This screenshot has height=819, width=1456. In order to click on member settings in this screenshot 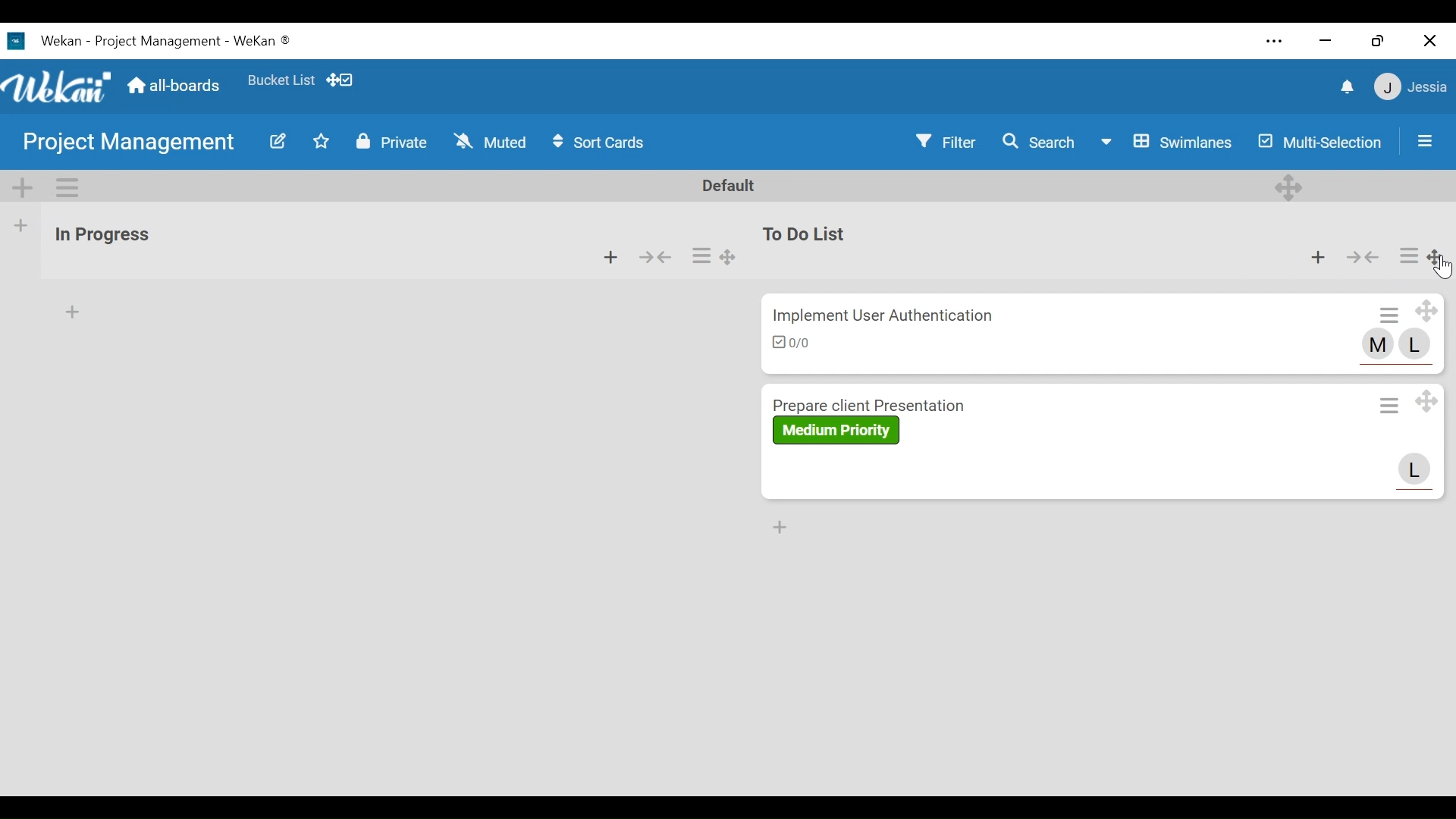, I will do `click(1410, 86)`.